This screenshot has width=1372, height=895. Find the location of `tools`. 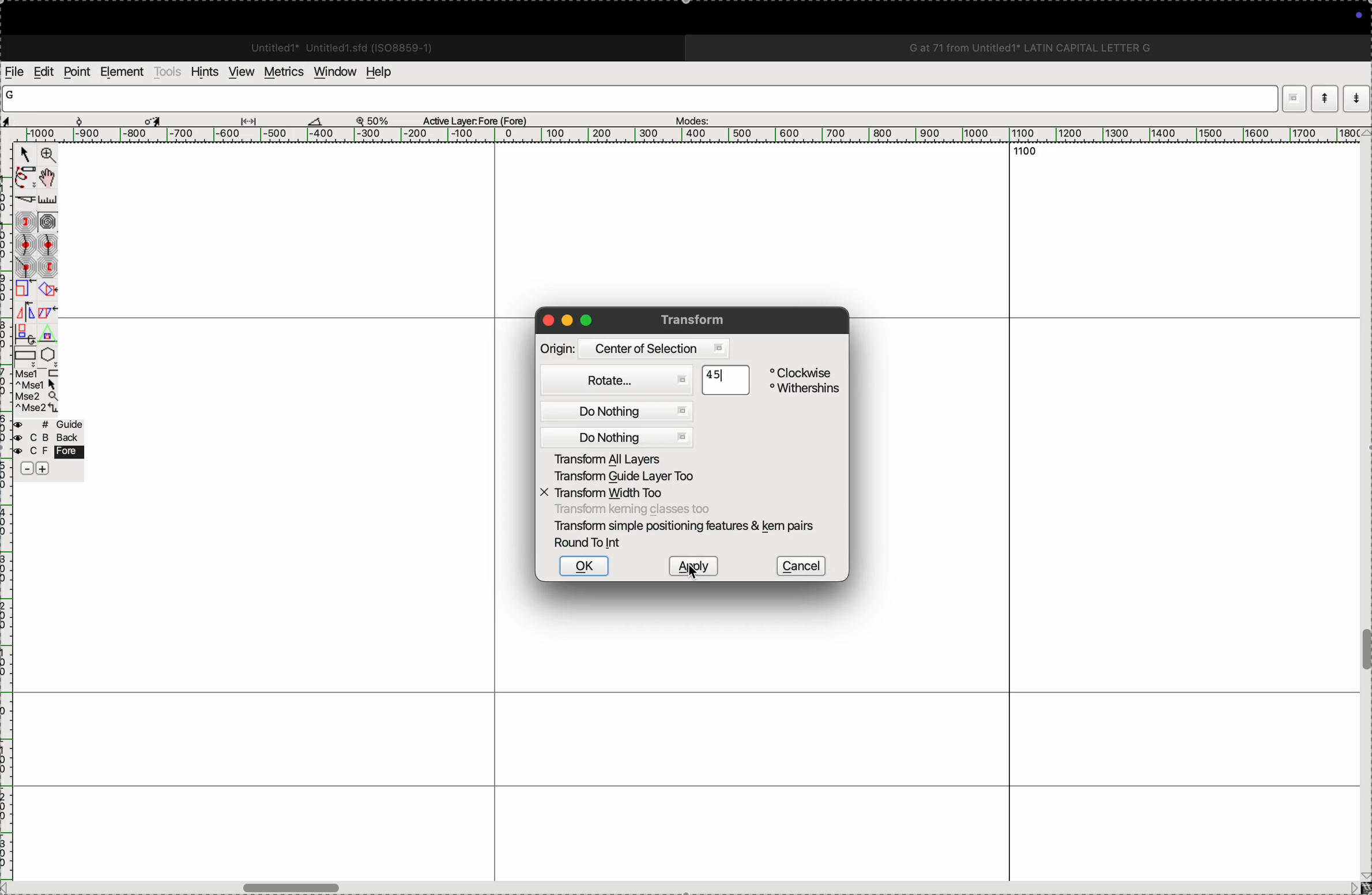

tools is located at coordinates (169, 74).